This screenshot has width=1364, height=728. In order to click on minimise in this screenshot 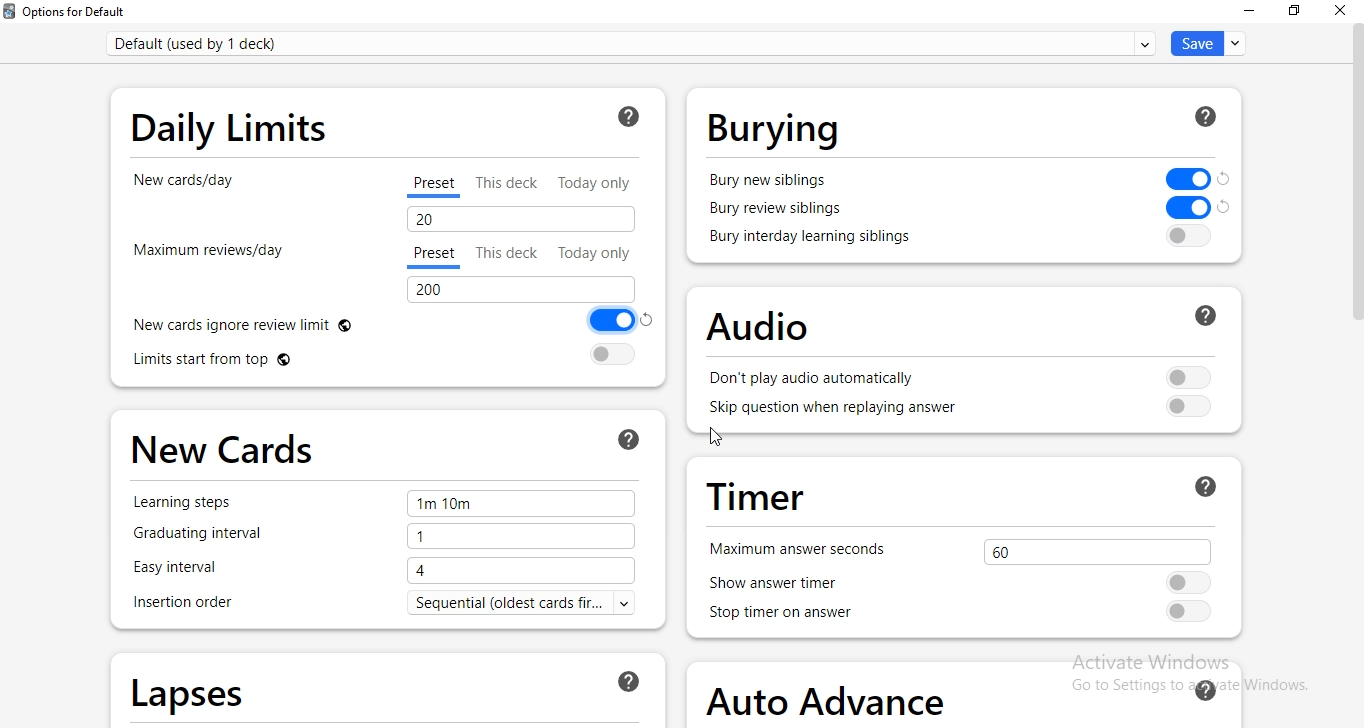, I will do `click(1247, 12)`.